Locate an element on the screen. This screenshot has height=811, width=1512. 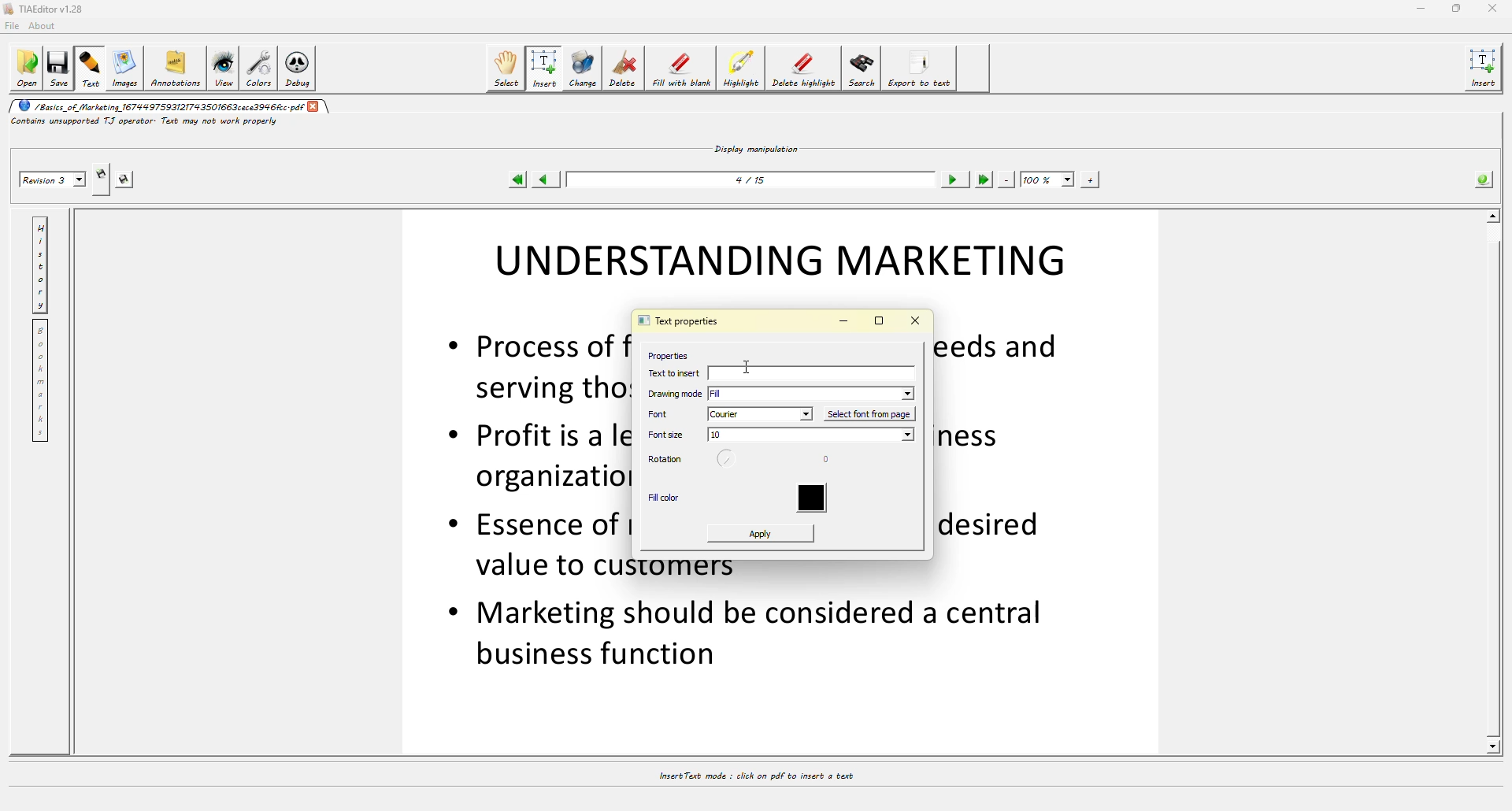
display manipulation is located at coordinates (758, 147).